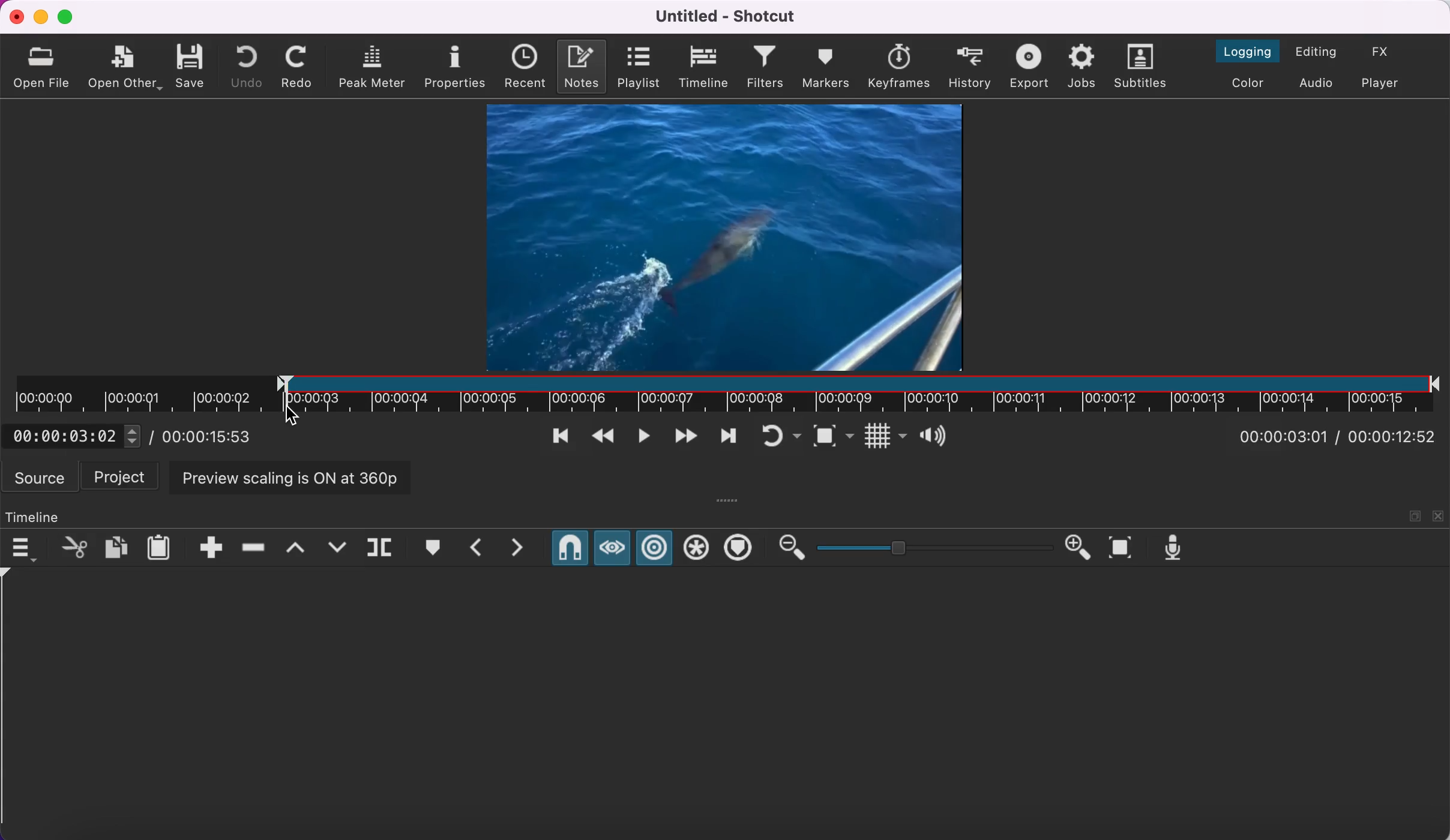  What do you see at coordinates (161, 547) in the screenshot?
I see `paste` at bounding box center [161, 547].